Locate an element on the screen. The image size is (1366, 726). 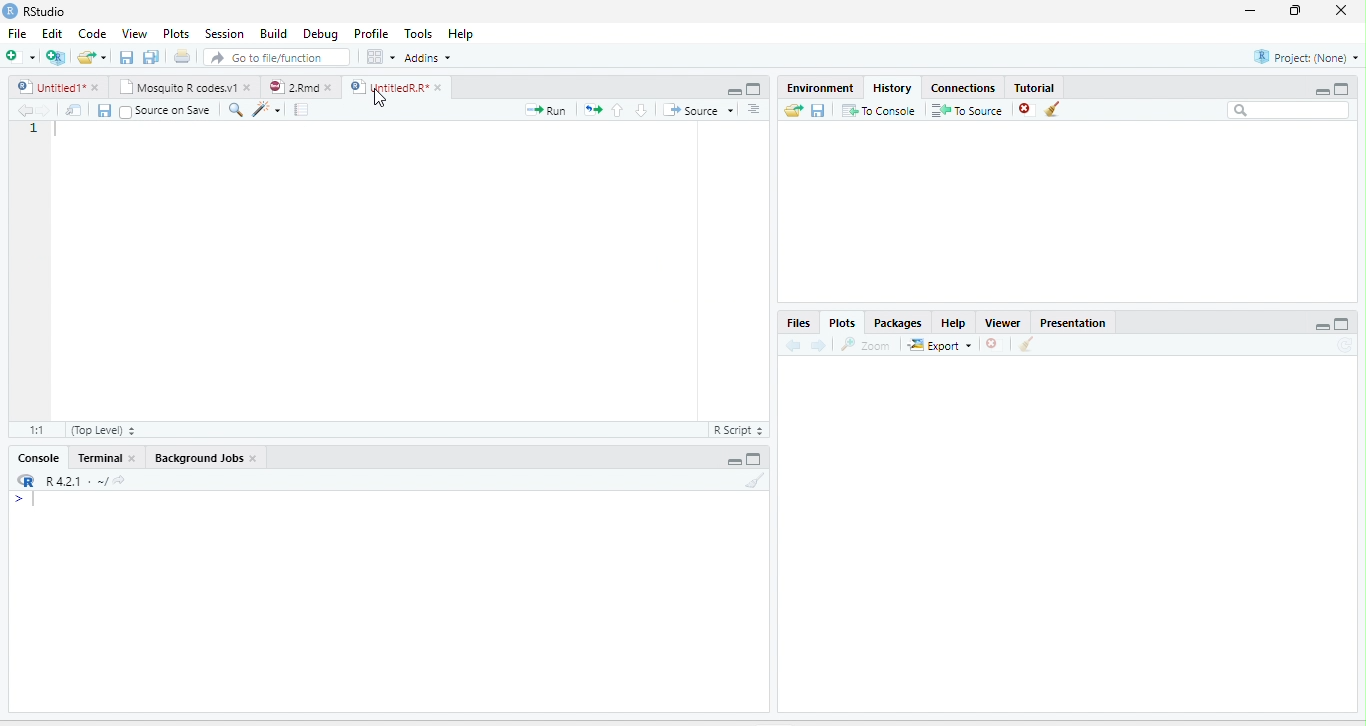
Go back to previous source location is located at coordinates (22, 110).